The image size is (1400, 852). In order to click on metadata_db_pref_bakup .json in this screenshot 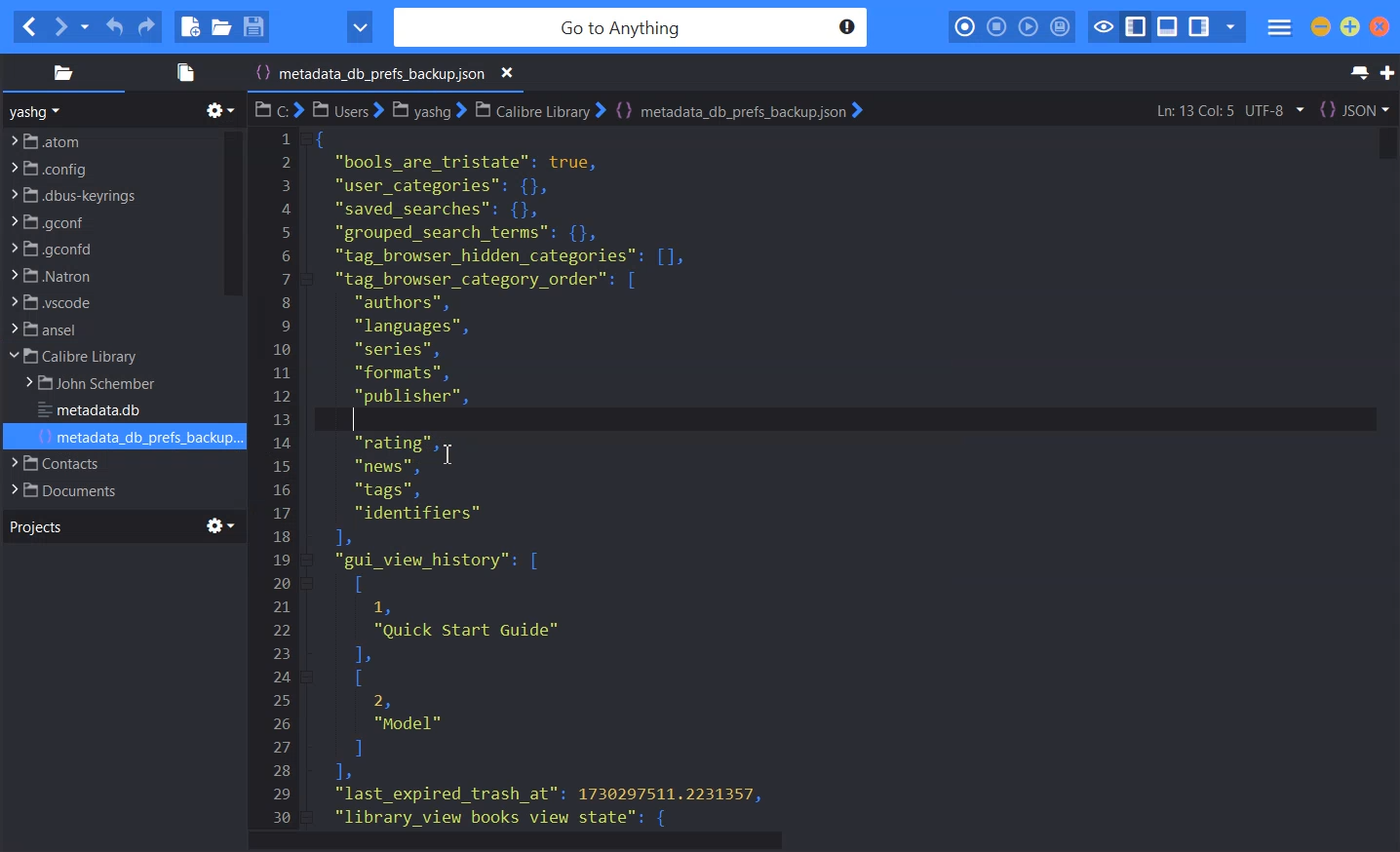, I will do `click(389, 75)`.